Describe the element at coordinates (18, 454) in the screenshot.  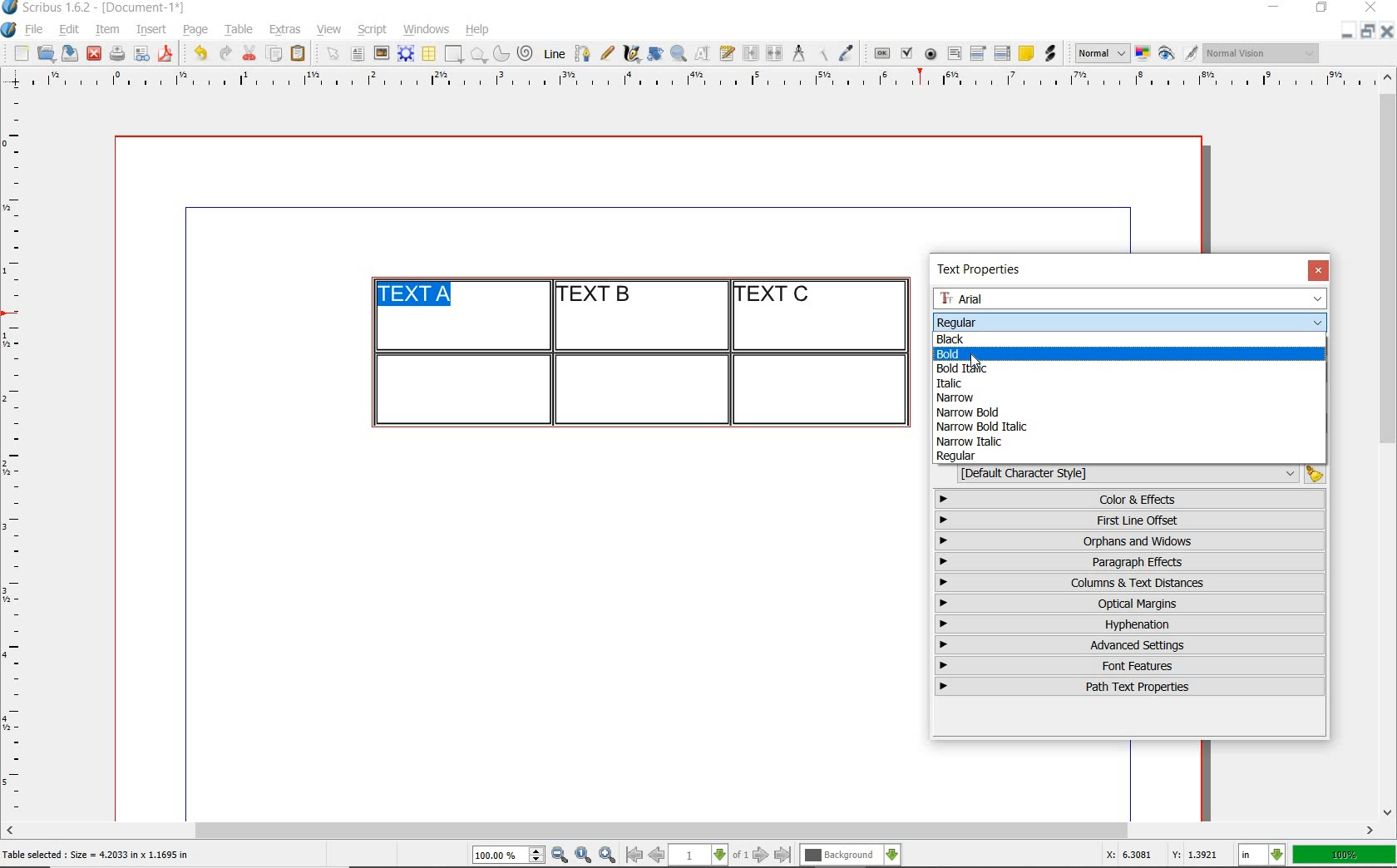
I see `ruler` at that location.